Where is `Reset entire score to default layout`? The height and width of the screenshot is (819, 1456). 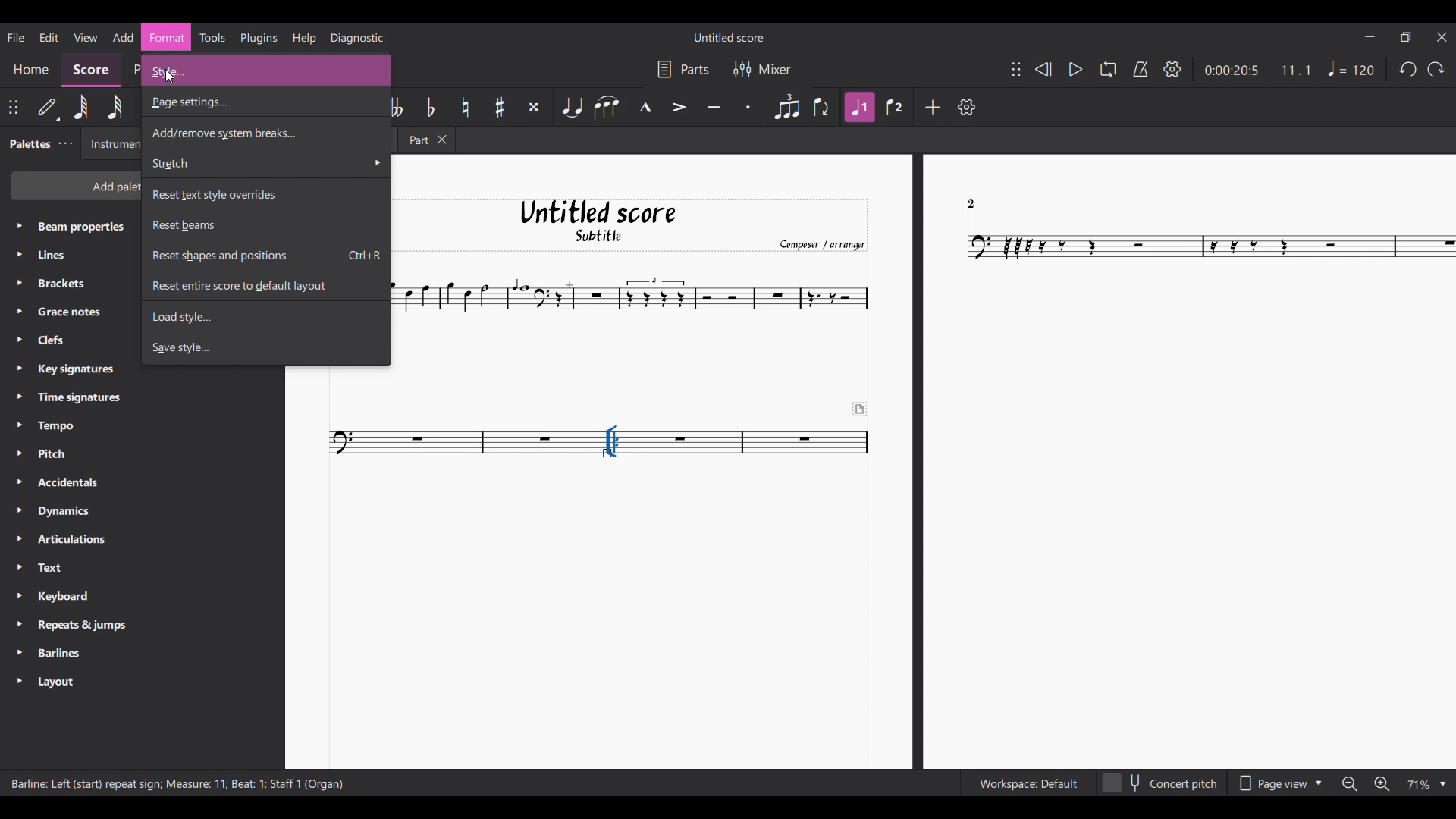 Reset entire score to default layout is located at coordinates (265, 286).